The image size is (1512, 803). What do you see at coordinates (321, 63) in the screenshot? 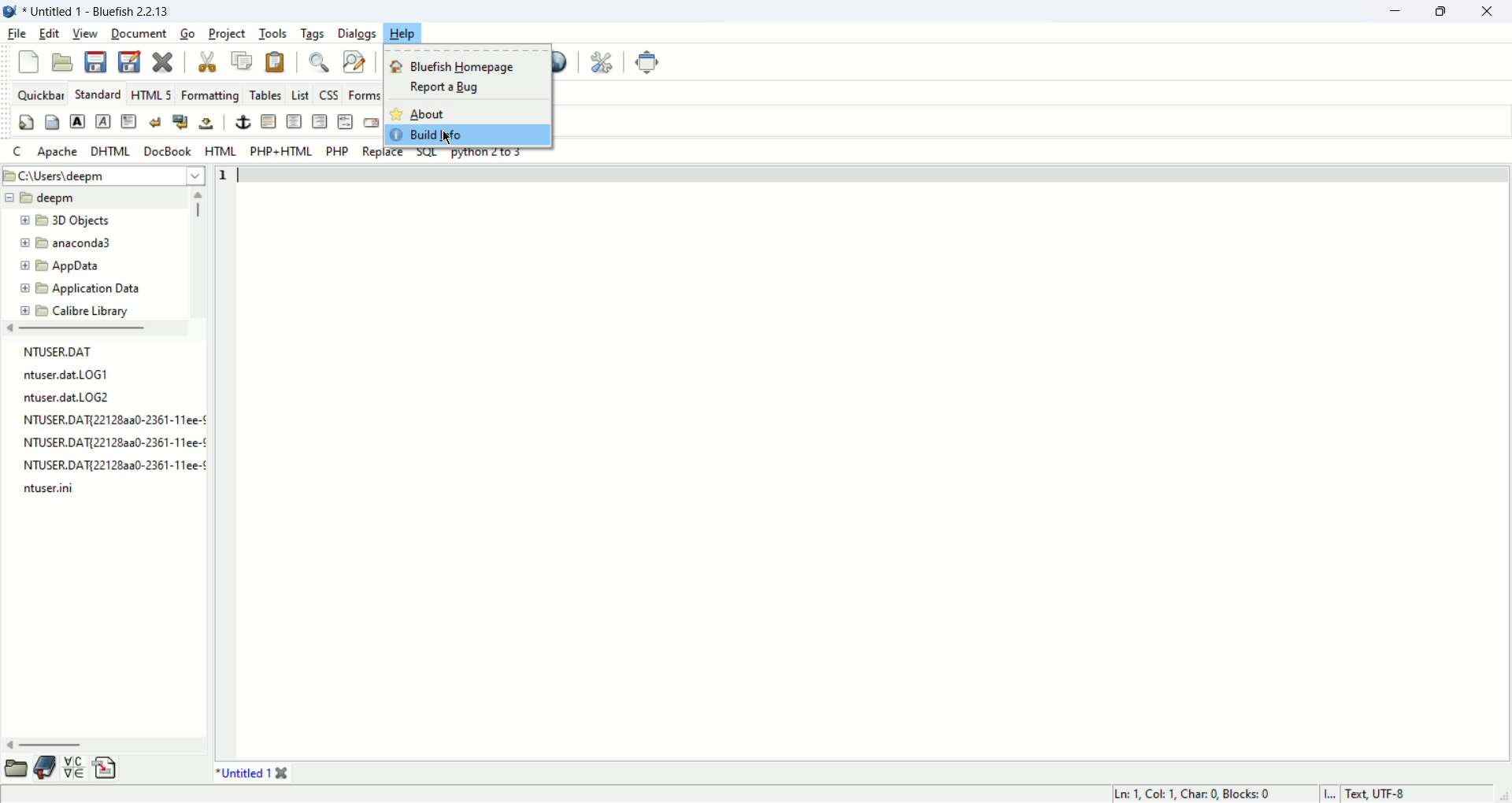
I see `find` at bounding box center [321, 63].